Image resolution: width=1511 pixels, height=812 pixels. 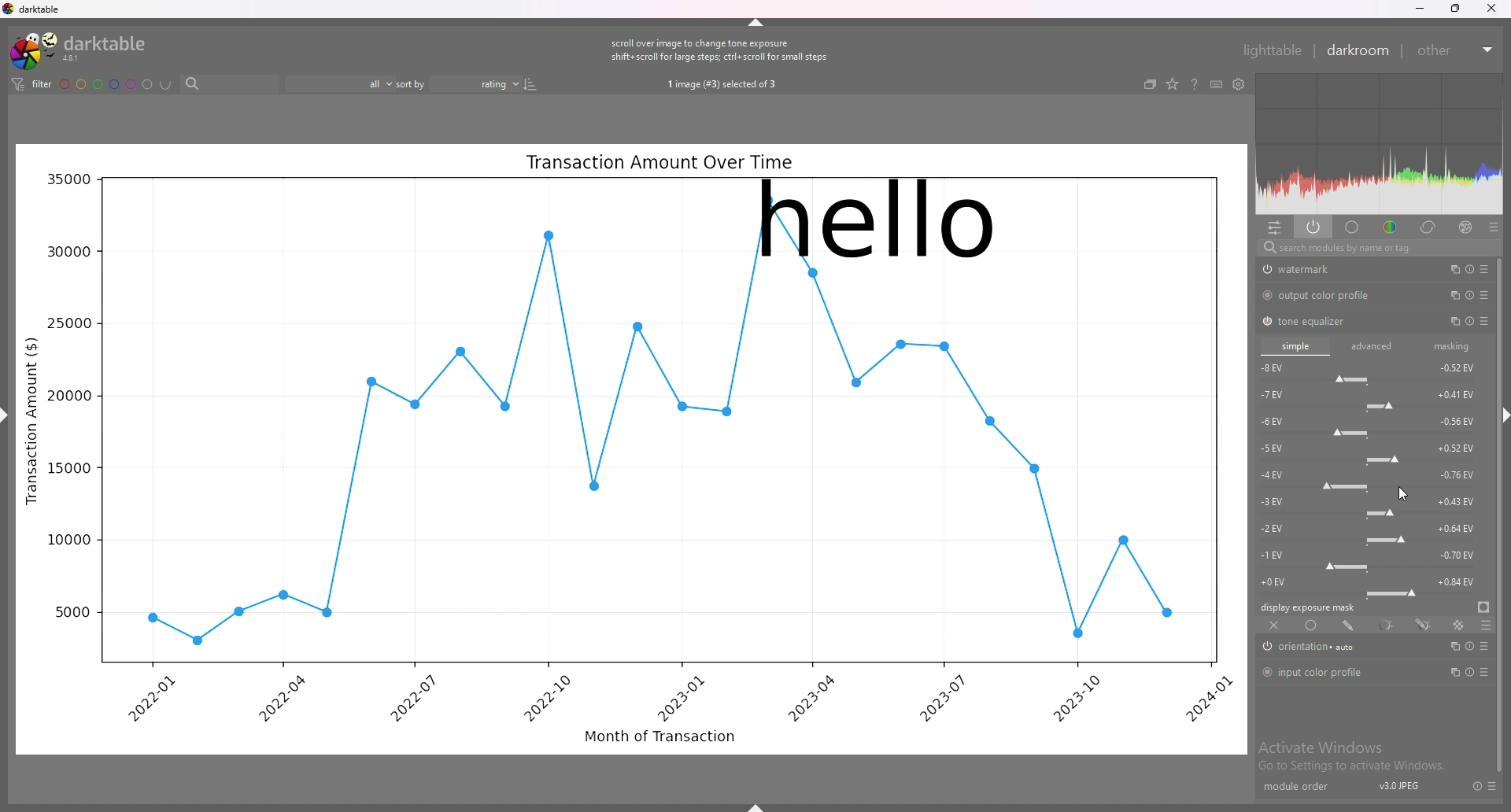 What do you see at coordinates (1448, 346) in the screenshot?
I see `masking` at bounding box center [1448, 346].